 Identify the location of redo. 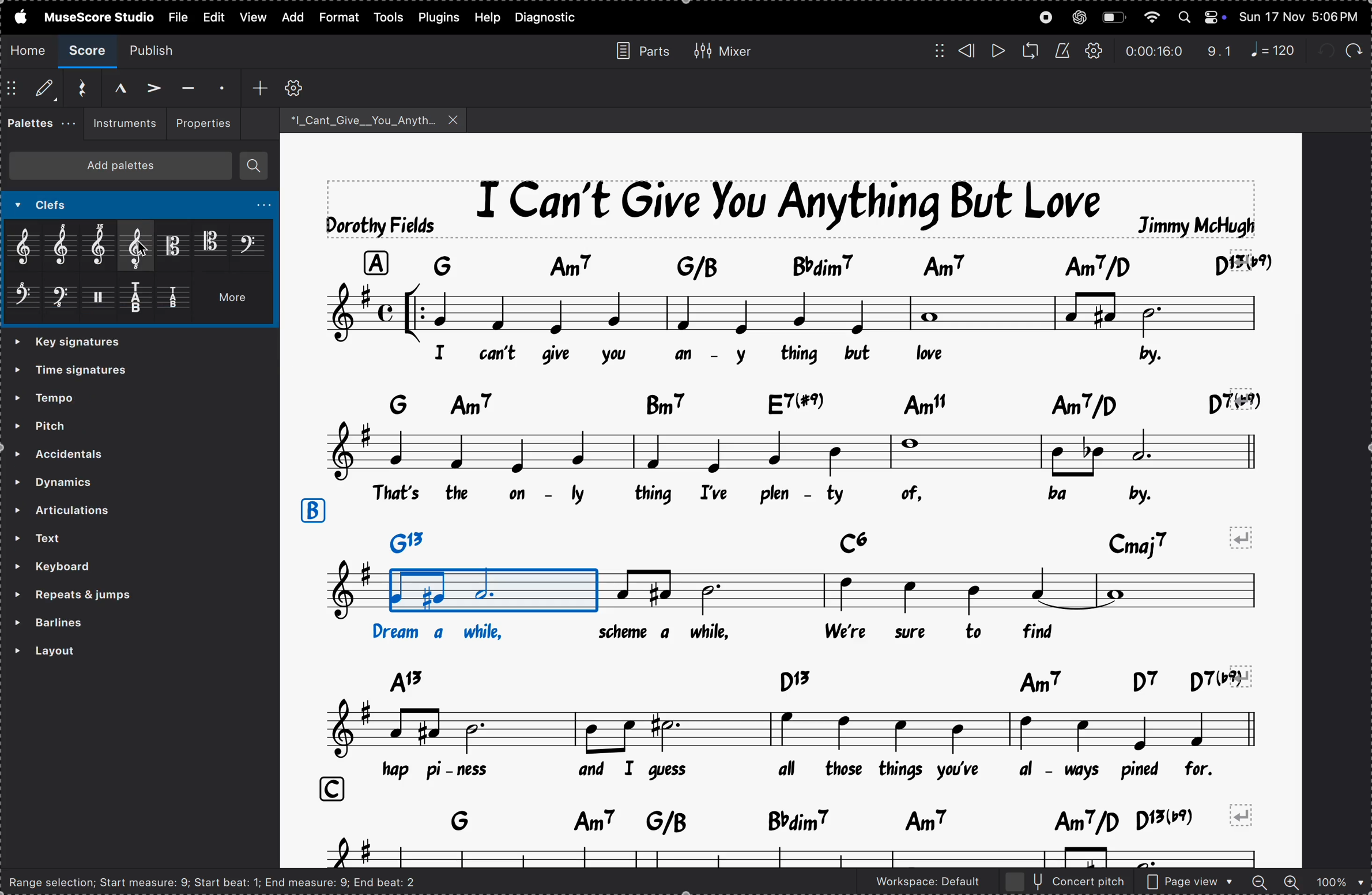
(1220, 51).